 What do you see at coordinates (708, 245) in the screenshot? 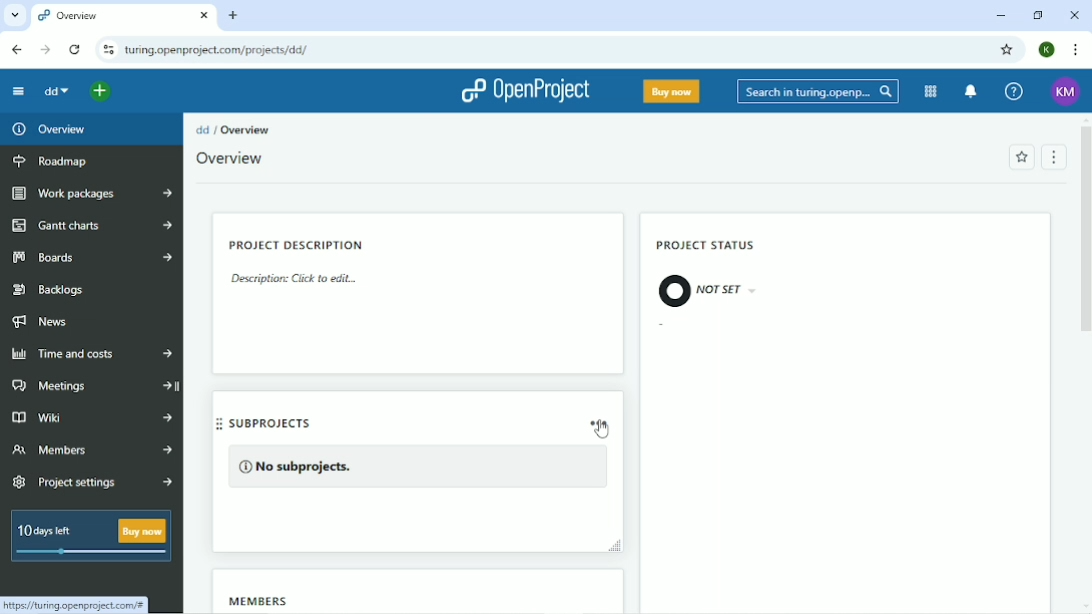
I see `Project status` at bounding box center [708, 245].